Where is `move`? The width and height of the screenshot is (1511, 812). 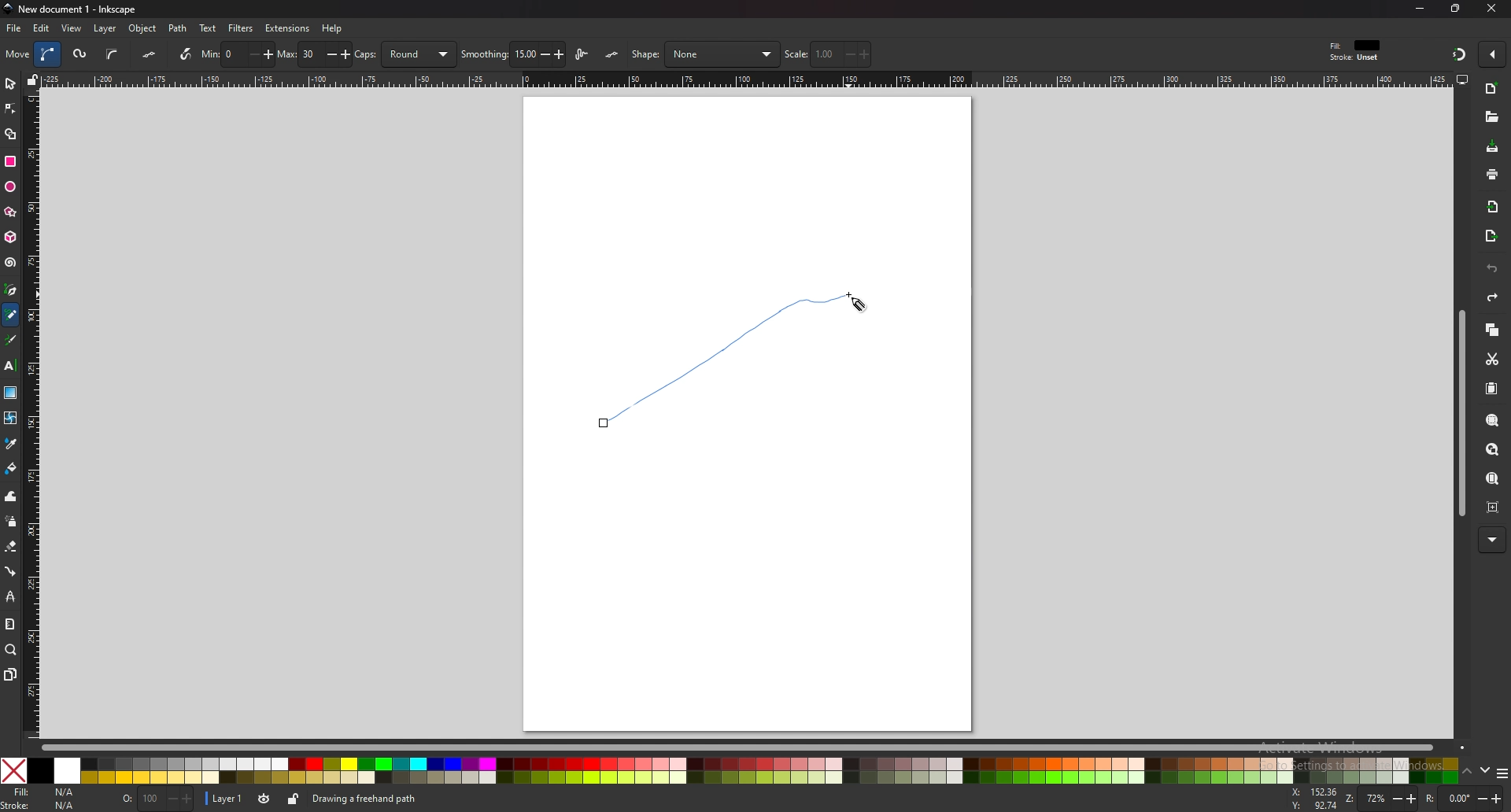
move is located at coordinates (17, 54).